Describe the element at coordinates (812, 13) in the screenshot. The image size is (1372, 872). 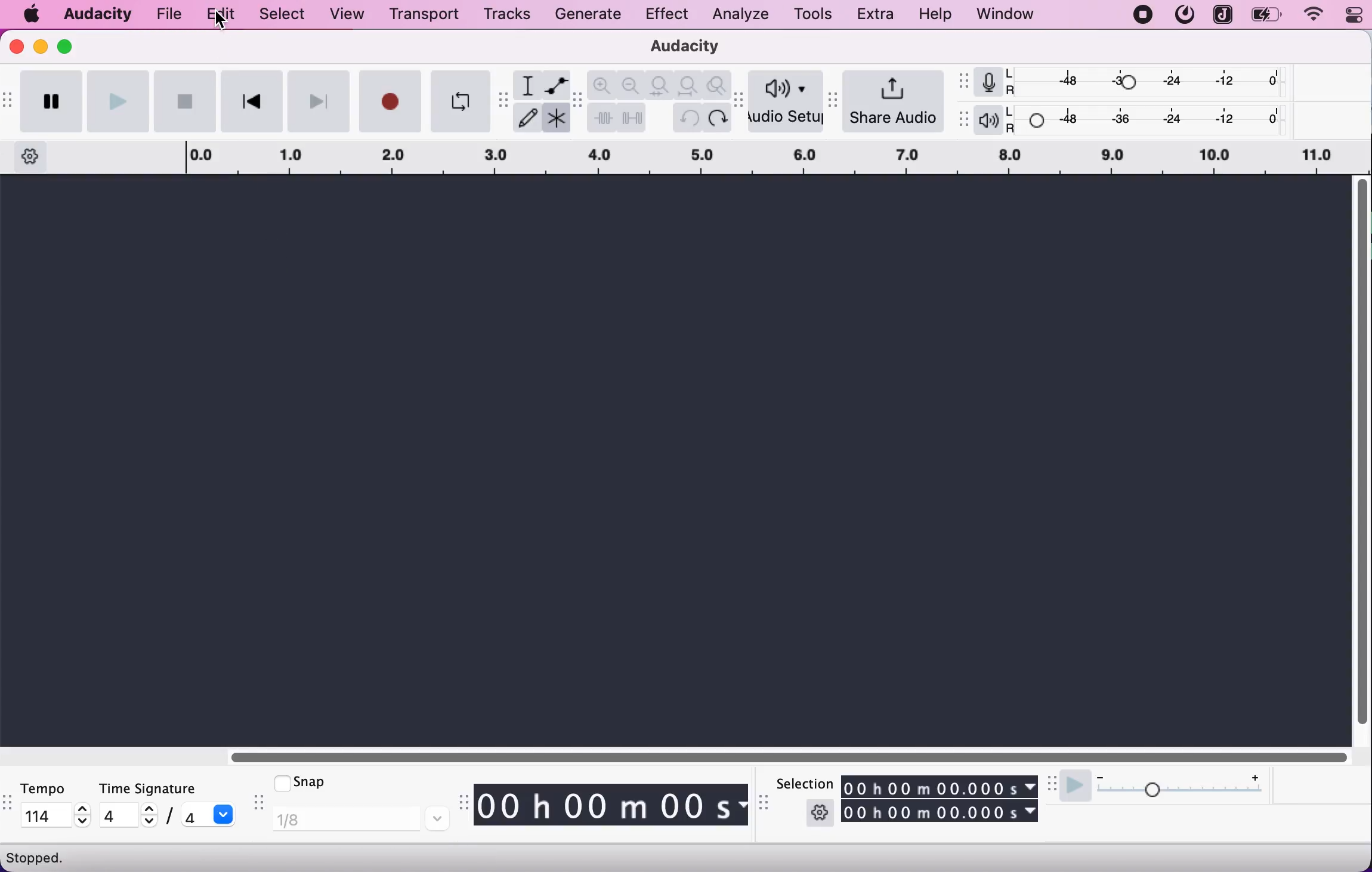
I see `tools` at that location.